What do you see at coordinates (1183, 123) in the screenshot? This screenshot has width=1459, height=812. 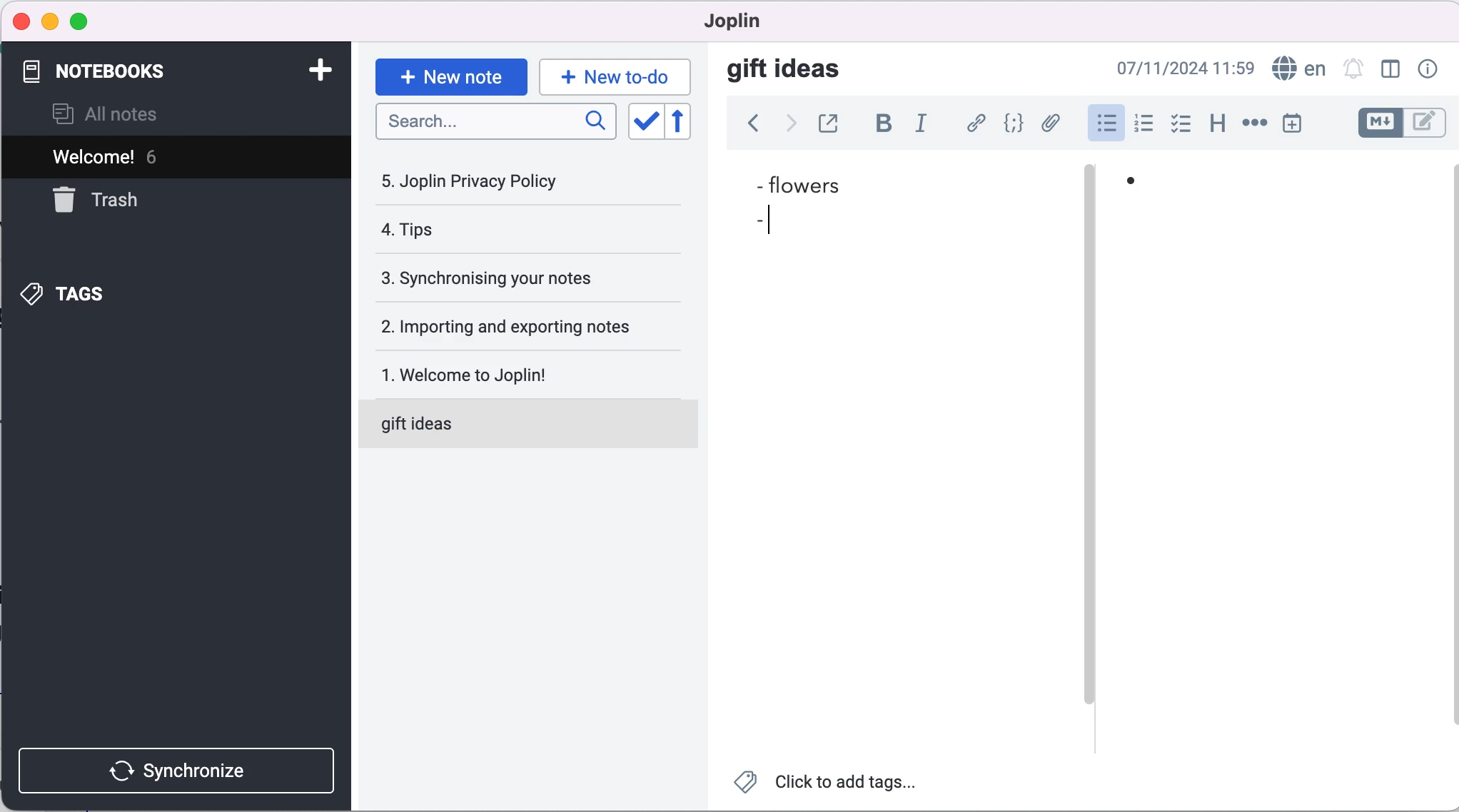 I see `checkbox` at bounding box center [1183, 123].